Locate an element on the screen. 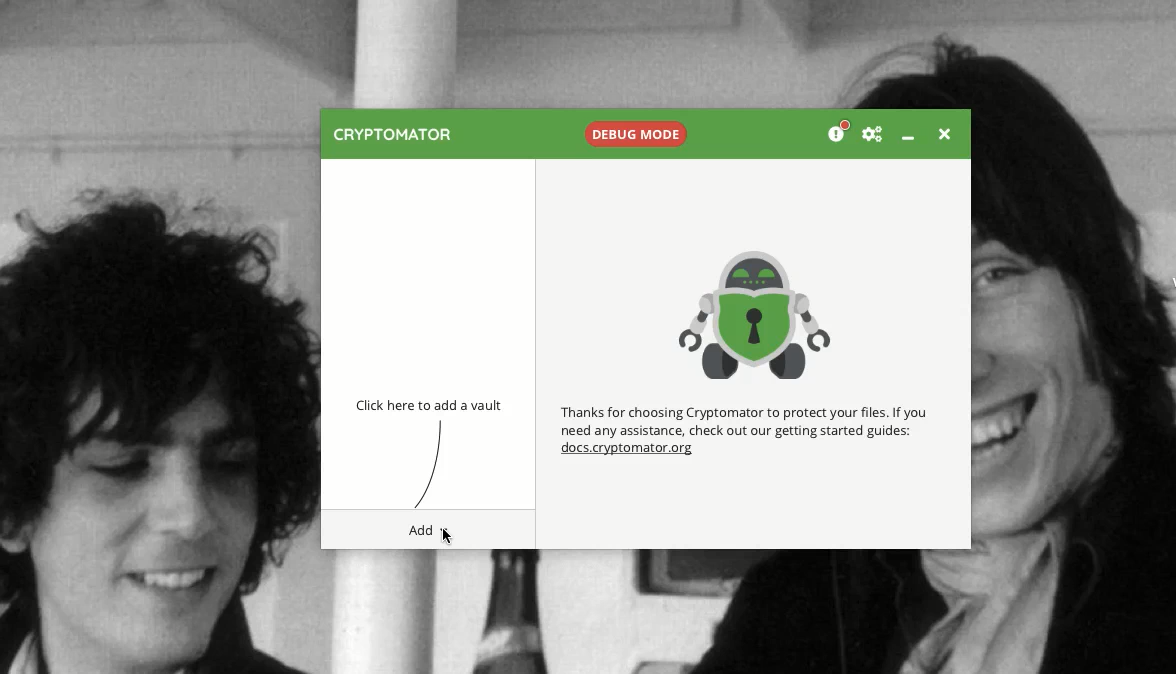 The height and width of the screenshot is (674, 1176). Emblem is located at coordinates (756, 312).